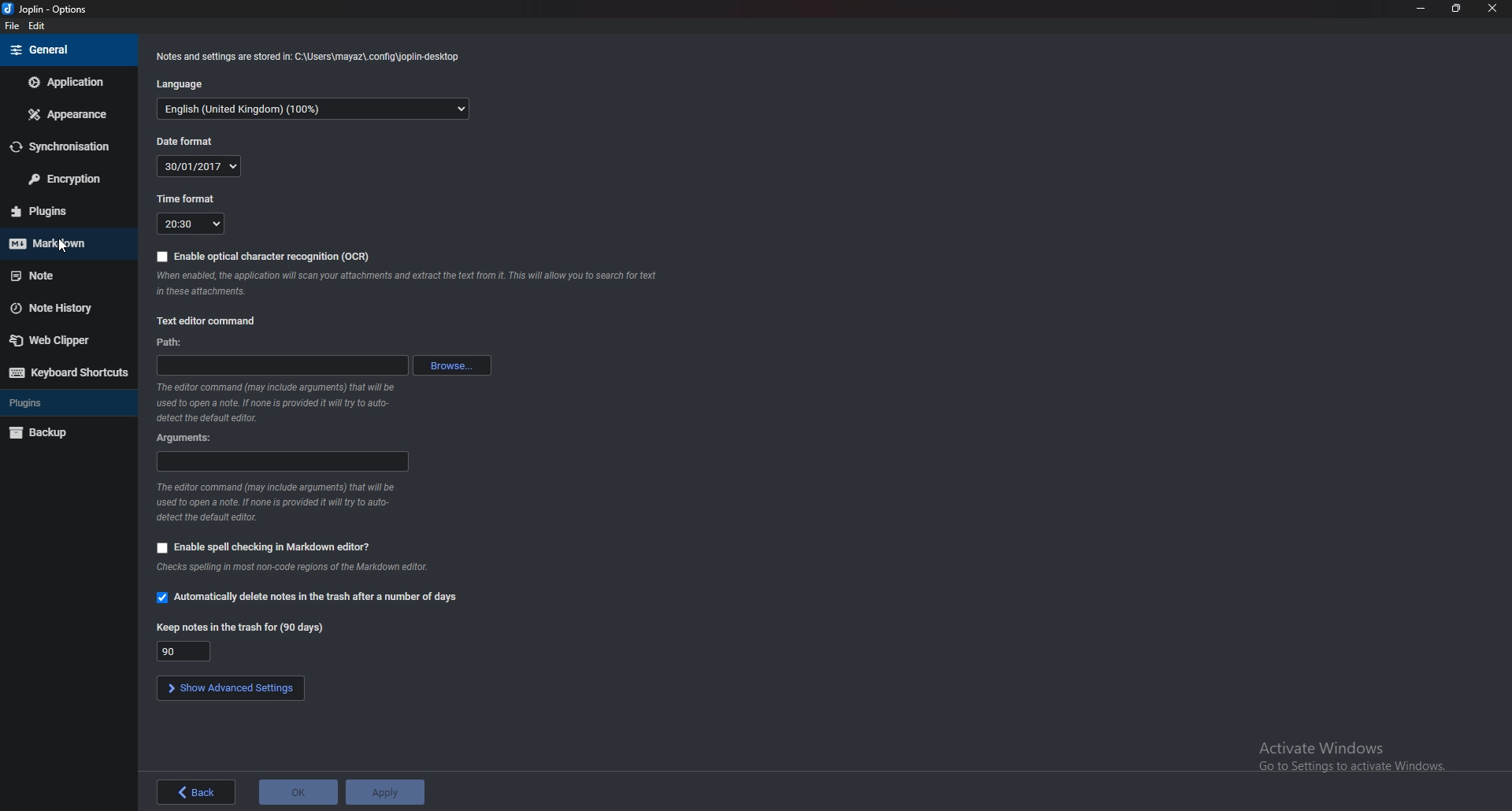  What do you see at coordinates (299, 791) in the screenshot?
I see `o K` at bounding box center [299, 791].